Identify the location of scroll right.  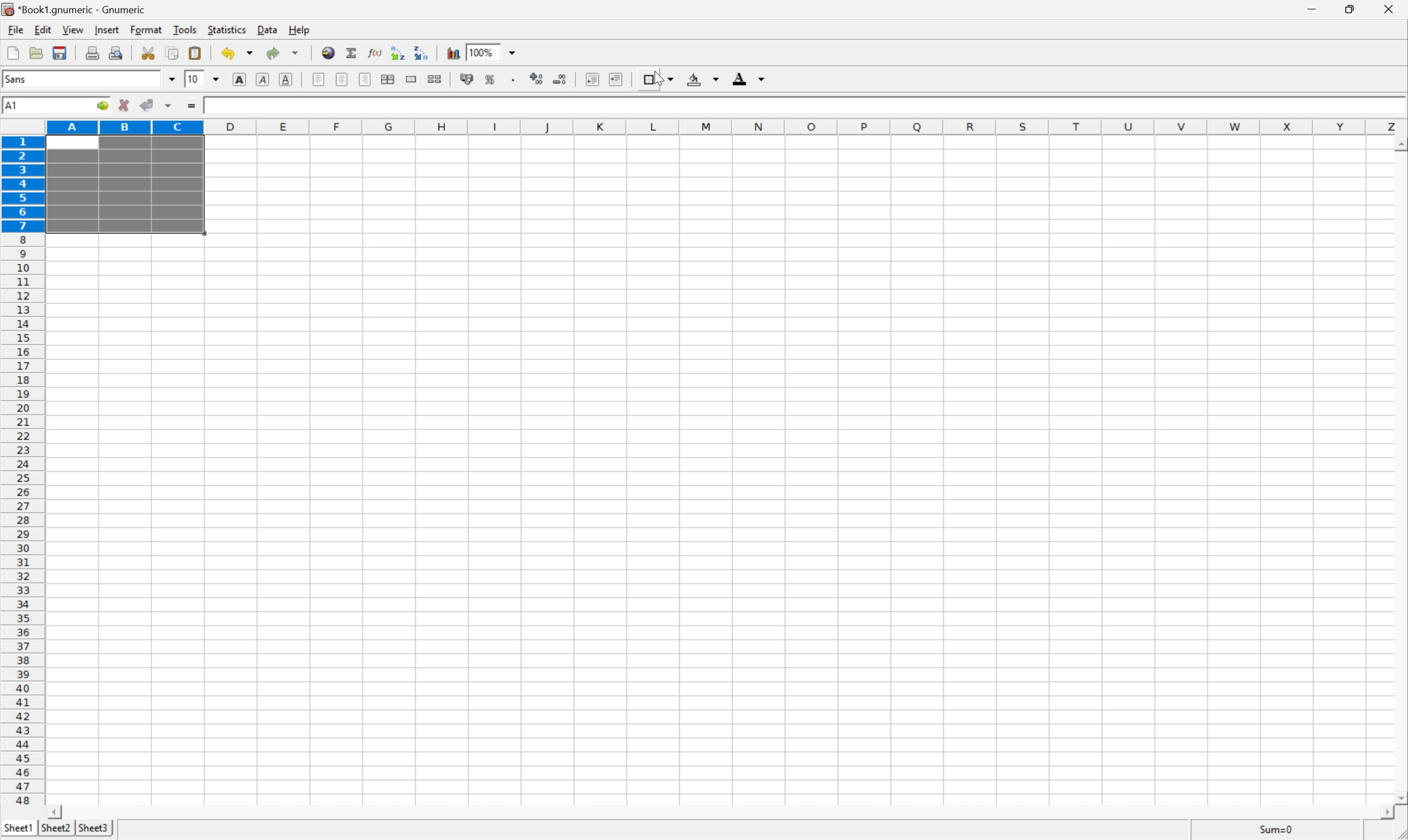
(1390, 818).